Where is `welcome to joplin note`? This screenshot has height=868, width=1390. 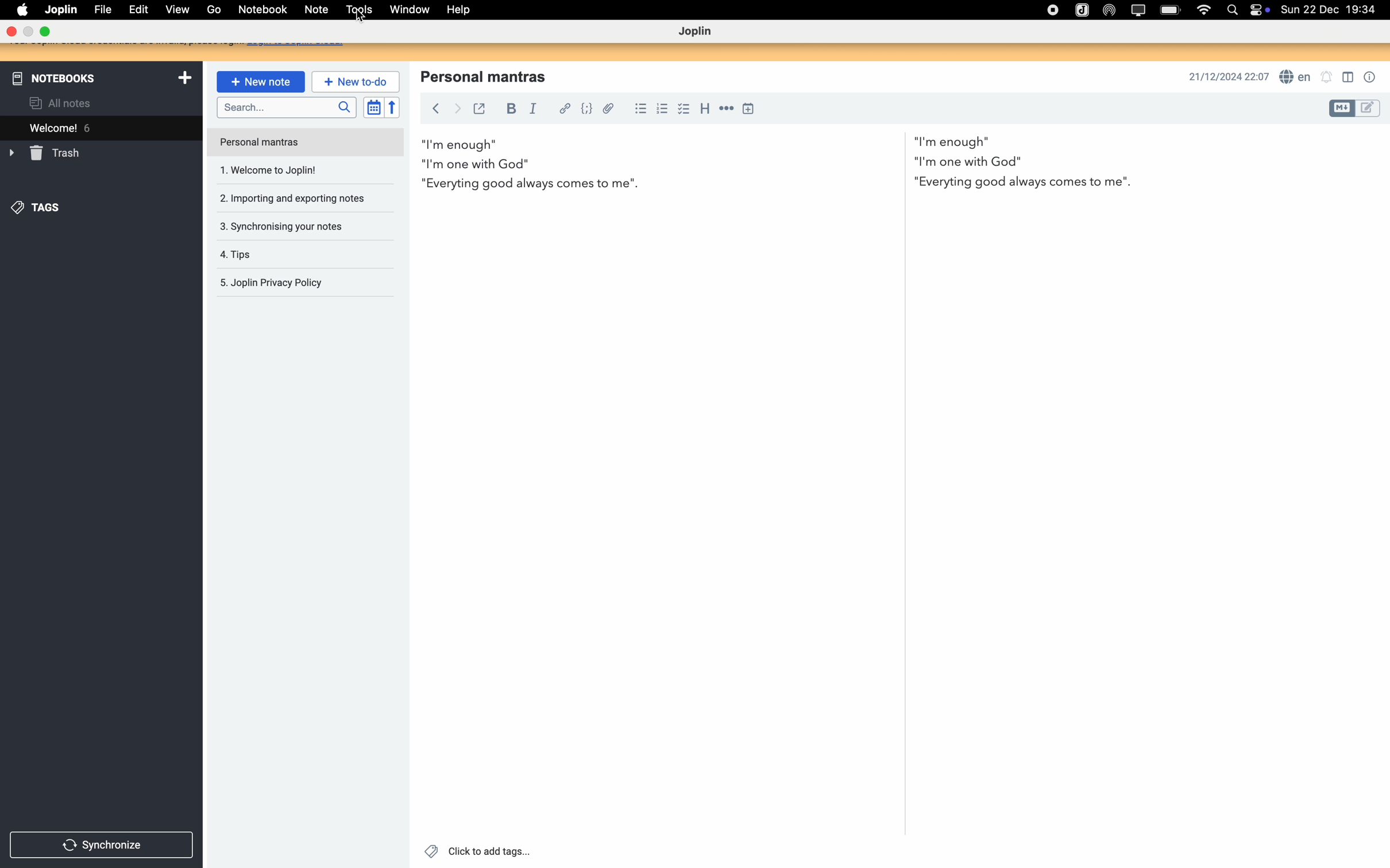
welcome to joplin note is located at coordinates (275, 172).